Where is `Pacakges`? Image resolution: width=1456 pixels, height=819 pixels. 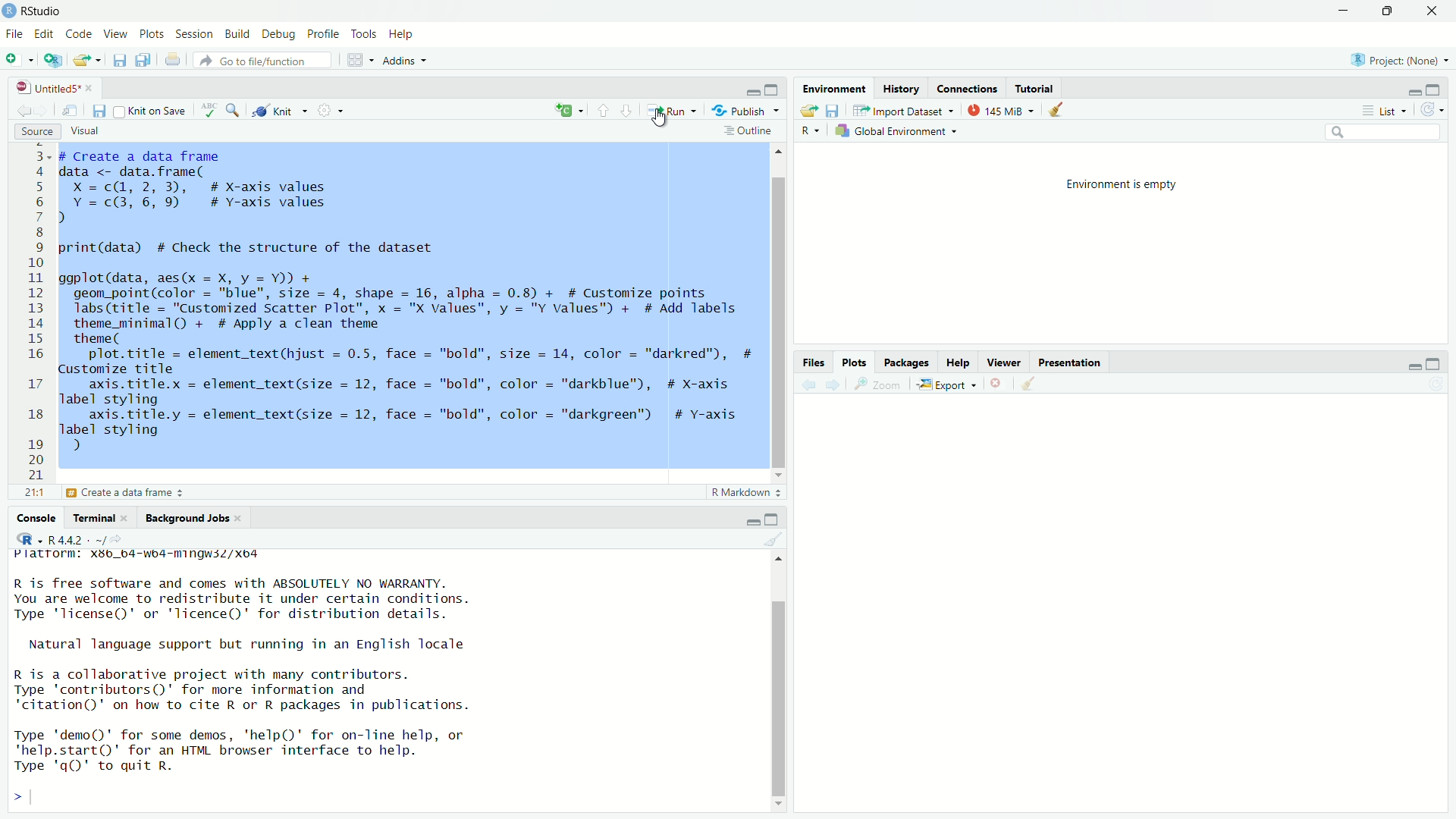
Pacakges is located at coordinates (906, 364).